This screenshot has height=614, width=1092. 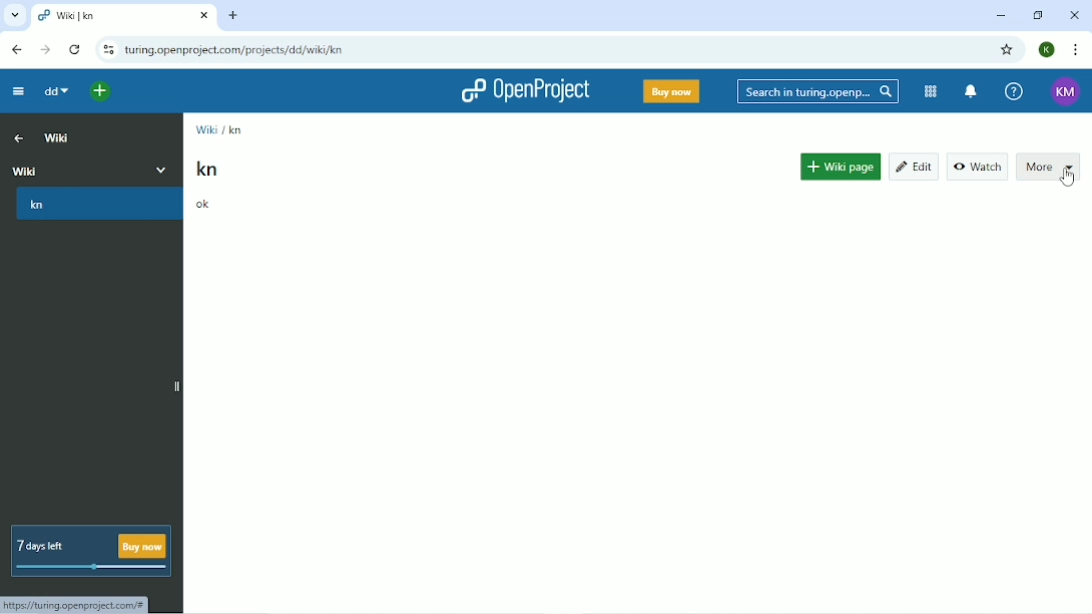 I want to click on Wiki, so click(x=92, y=169).